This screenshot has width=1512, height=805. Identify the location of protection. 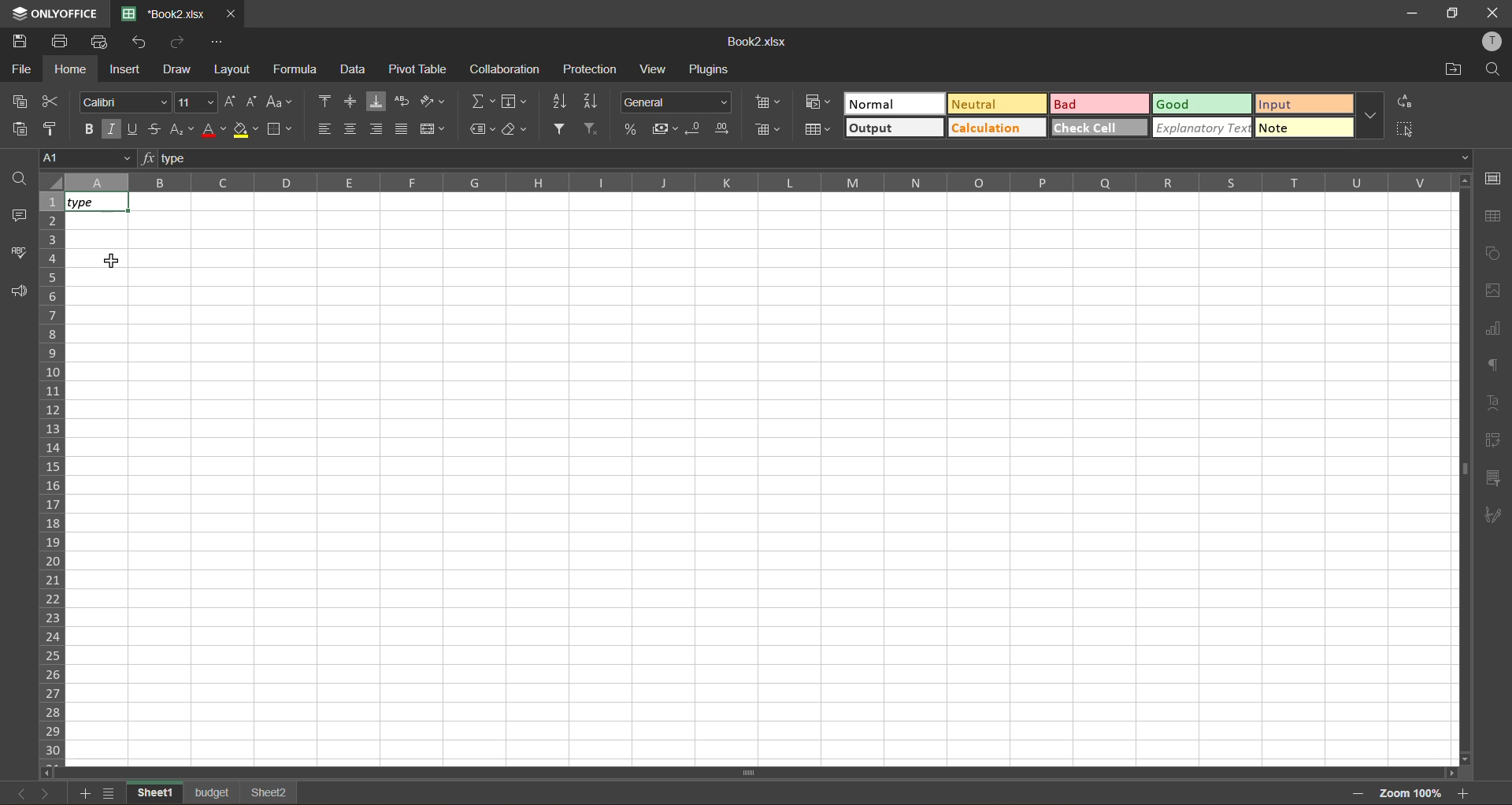
(591, 71).